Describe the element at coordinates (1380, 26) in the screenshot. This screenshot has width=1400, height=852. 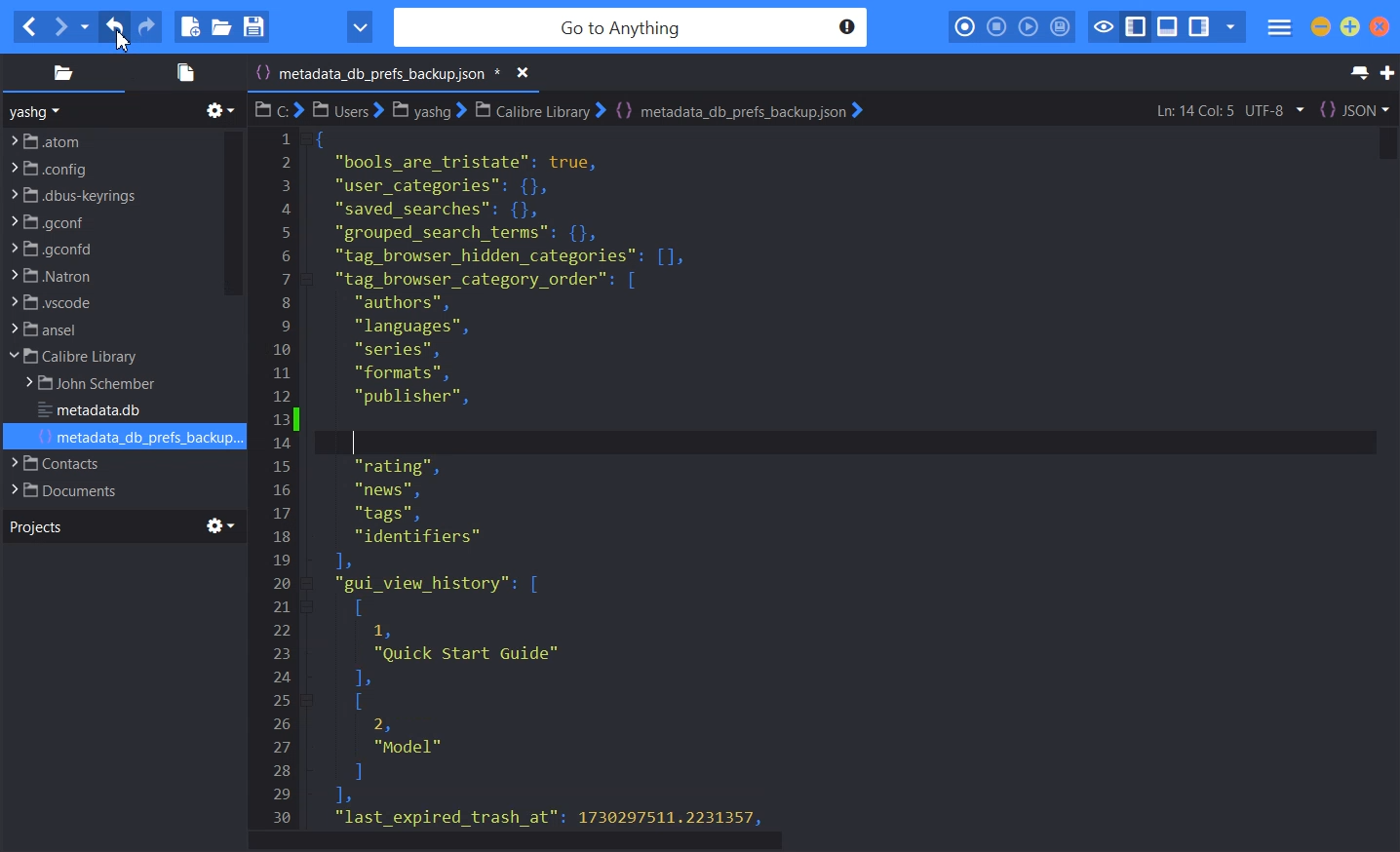
I see `Close` at that location.